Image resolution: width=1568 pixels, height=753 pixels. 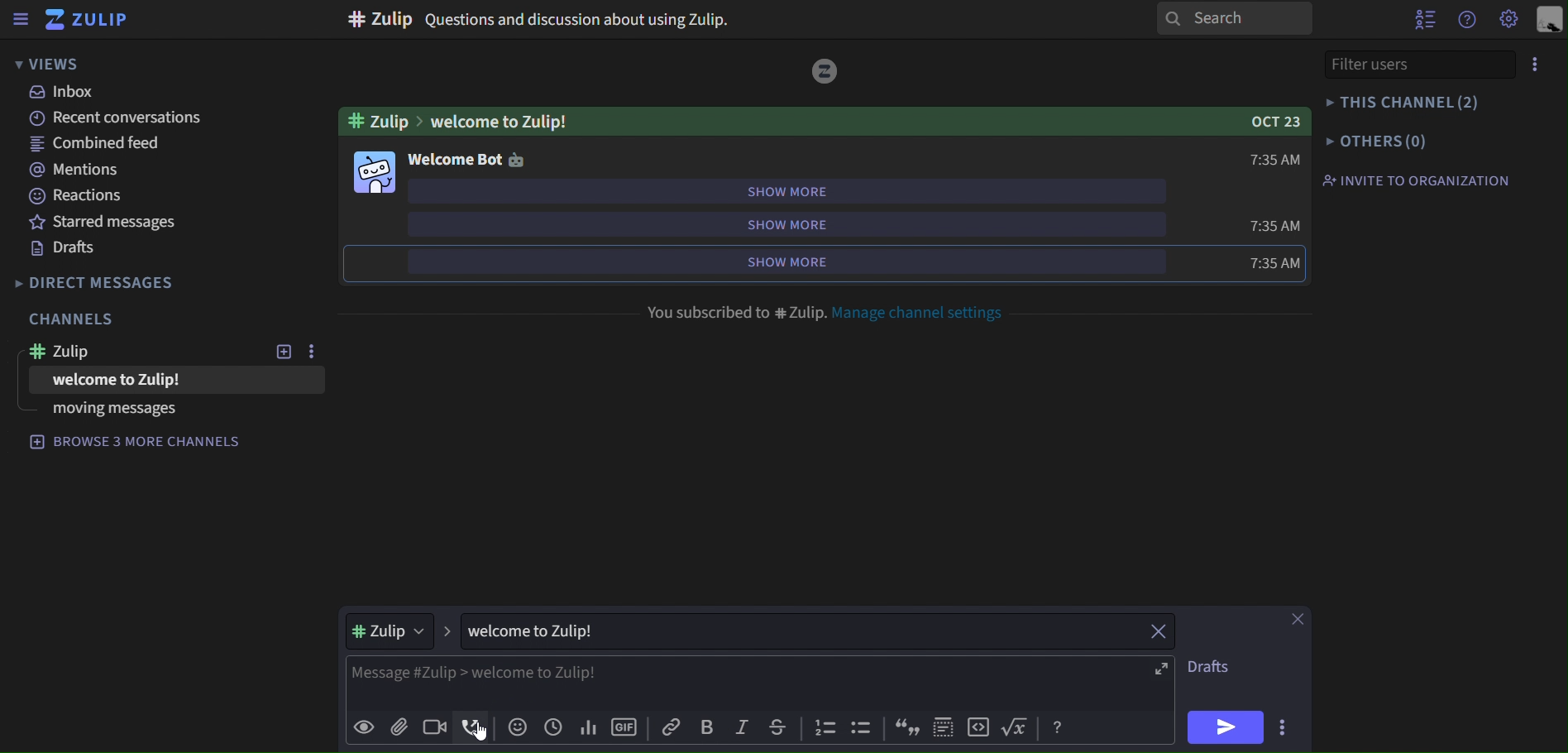 I want to click on new topic, so click(x=281, y=353).